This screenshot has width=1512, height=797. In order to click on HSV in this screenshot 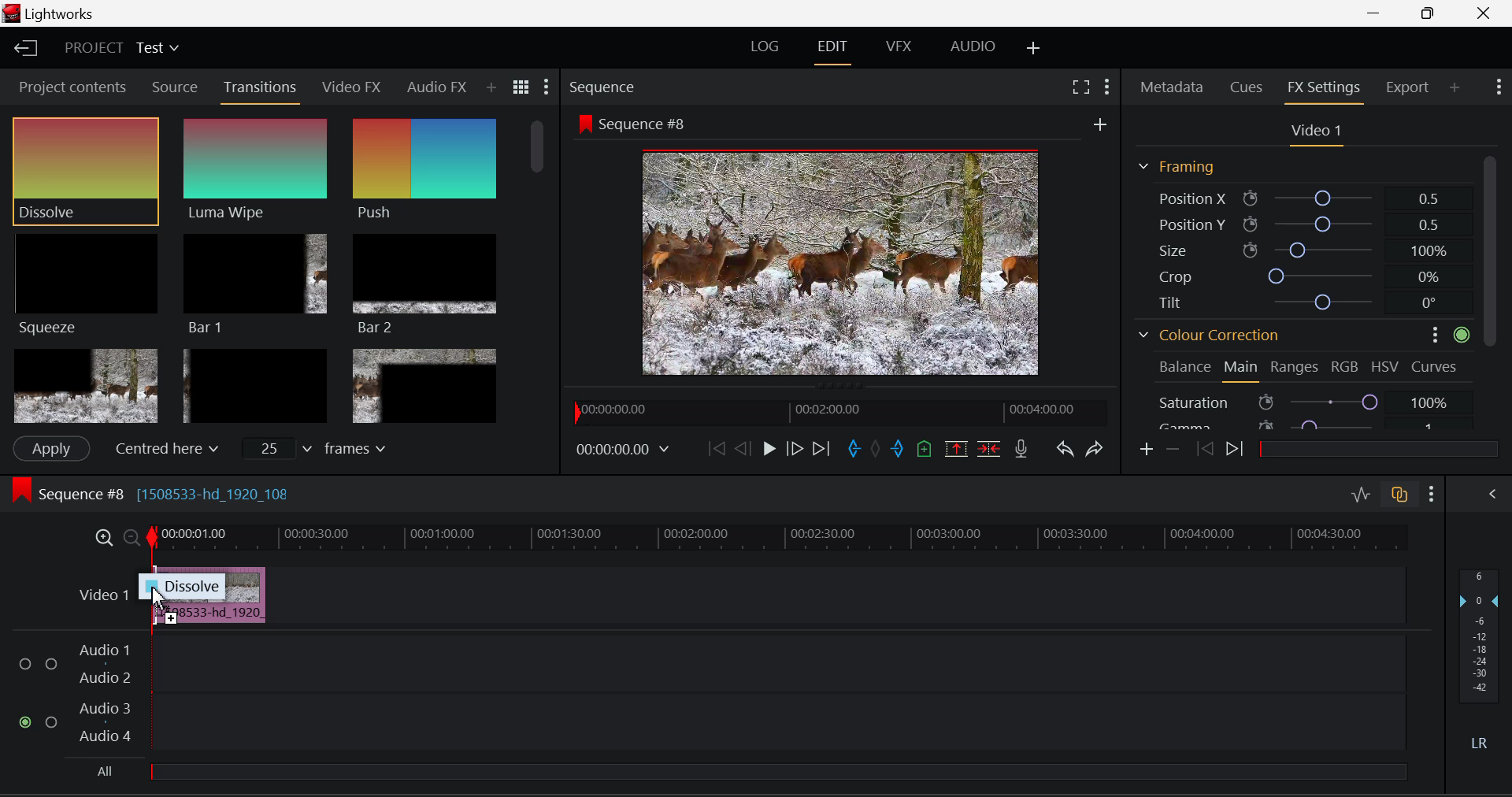, I will do `click(1388, 366)`.